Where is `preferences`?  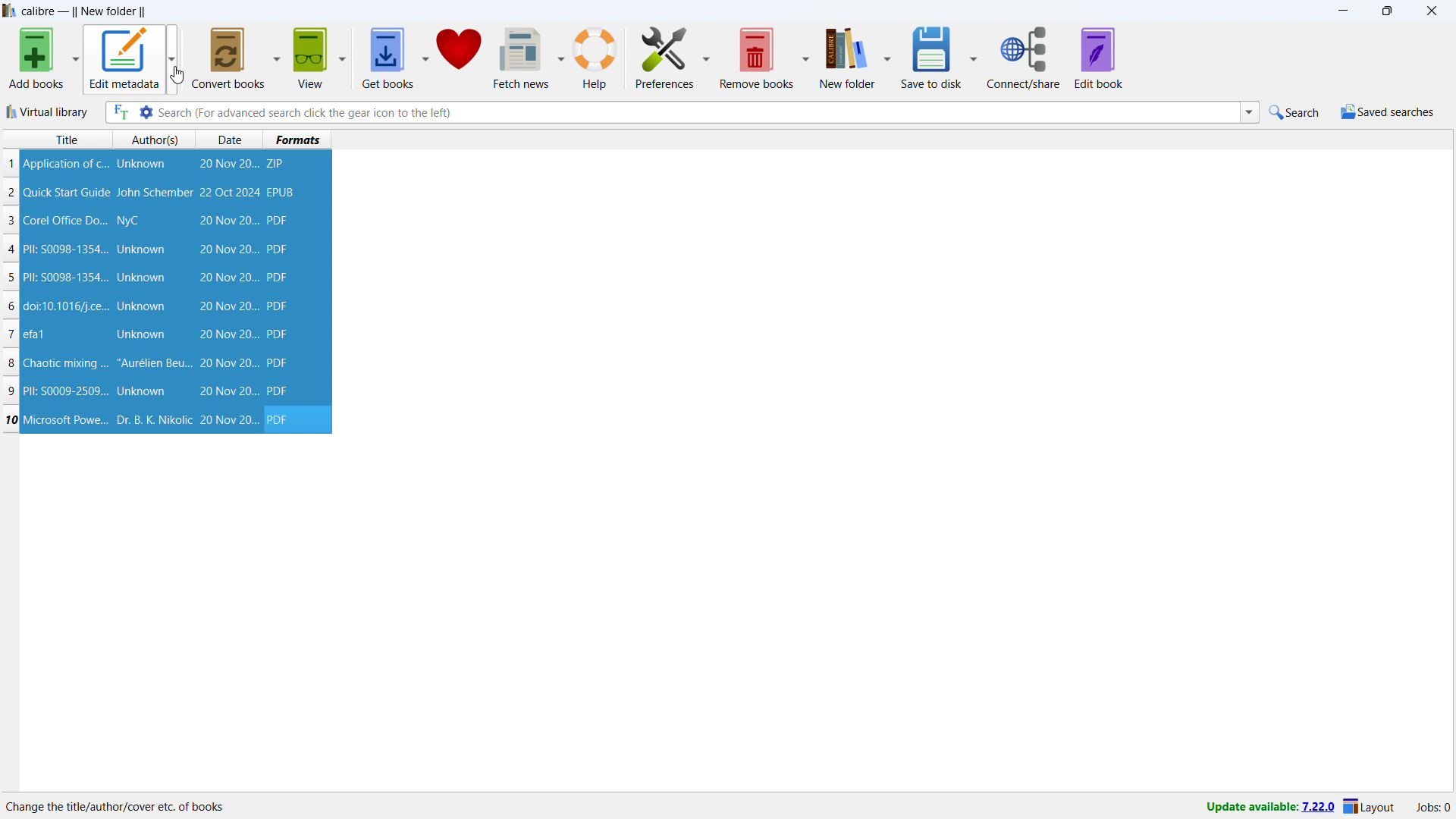
preferences is located at coordinates (664, 57).